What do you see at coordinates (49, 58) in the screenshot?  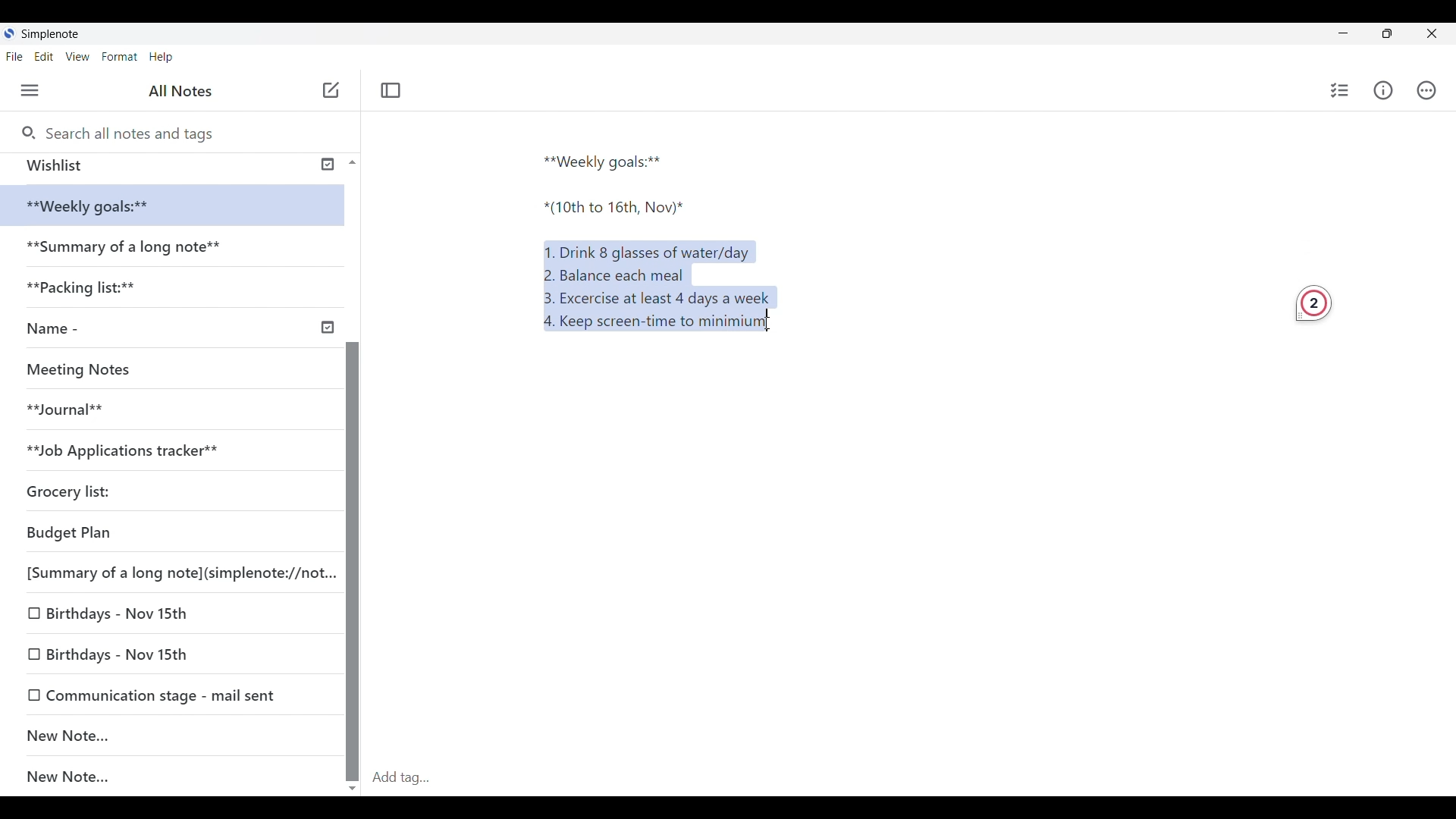 I see `Edit` at bounding box center [49, 58].